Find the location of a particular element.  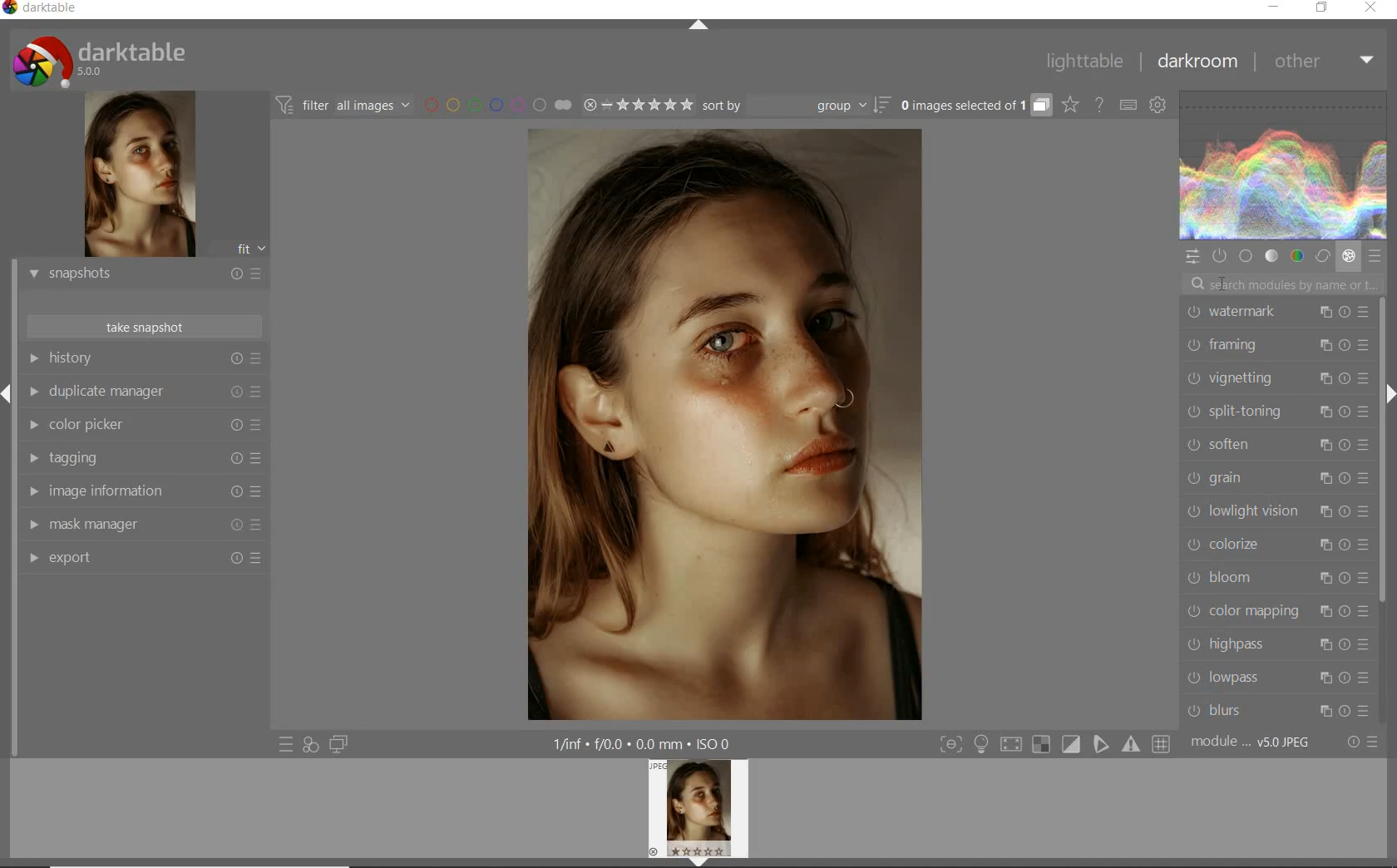

bloom is located at coordinates (1276, 578).